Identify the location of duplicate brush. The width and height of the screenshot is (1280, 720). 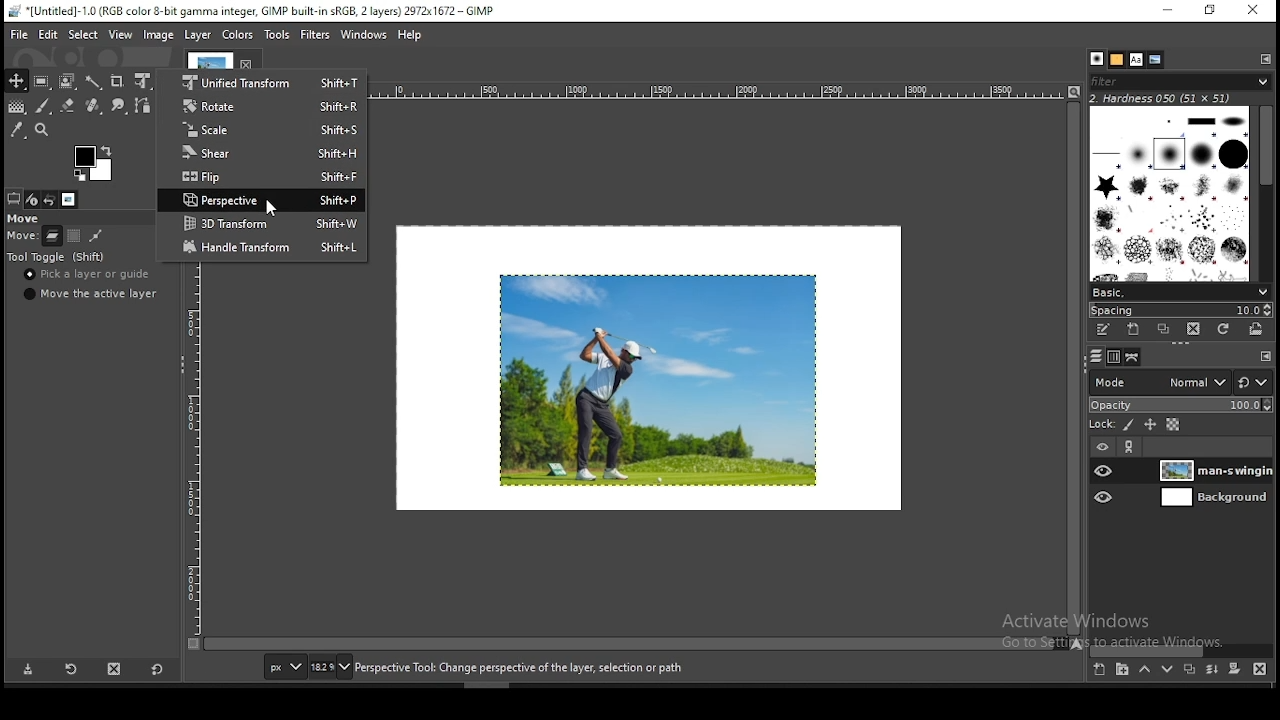
(1163, 330).